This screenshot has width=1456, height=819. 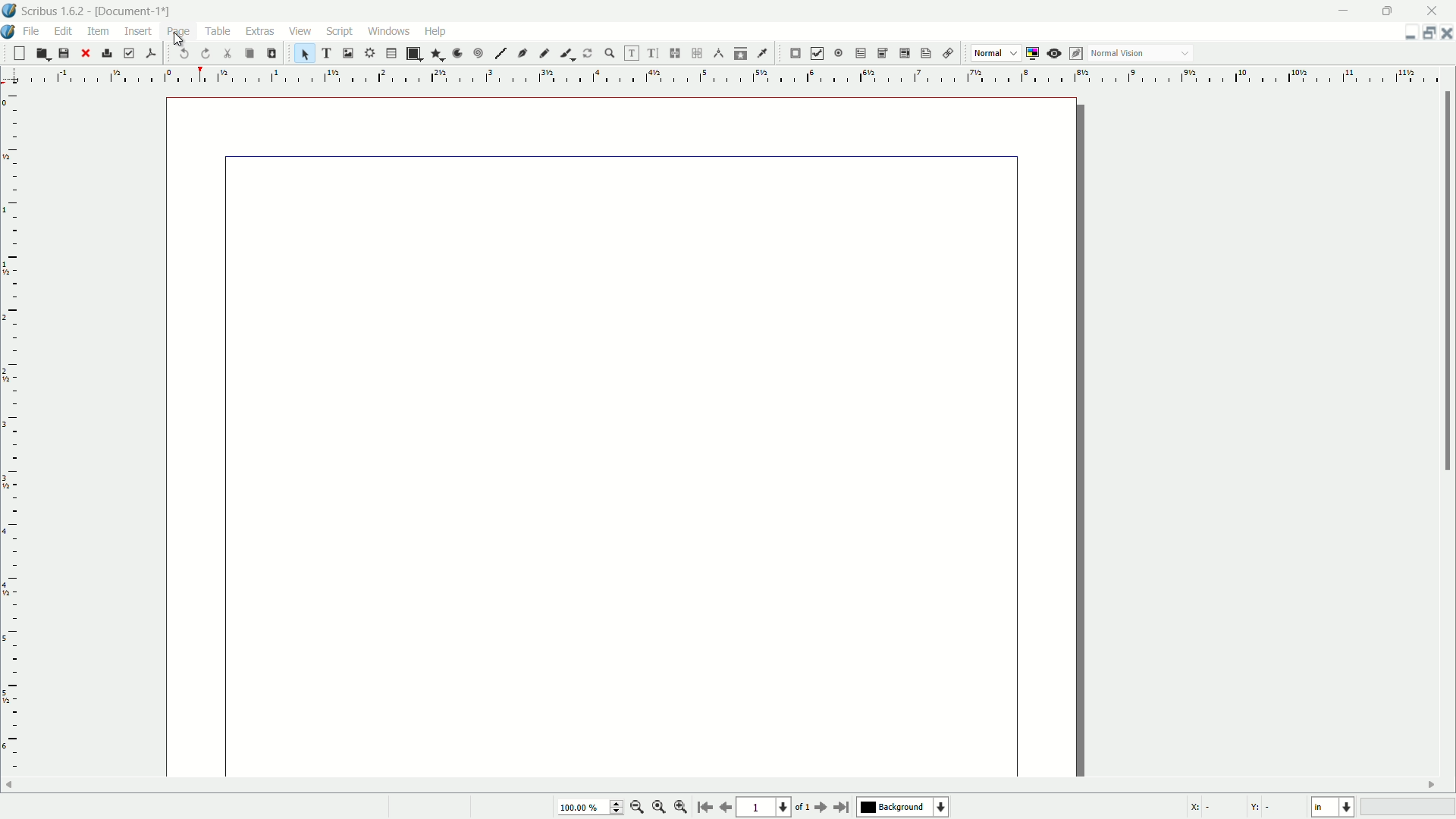 What do you see at coordinates (523, 55) in the screenshot?
I see `bezier curve` at bounding box center [523, 55].